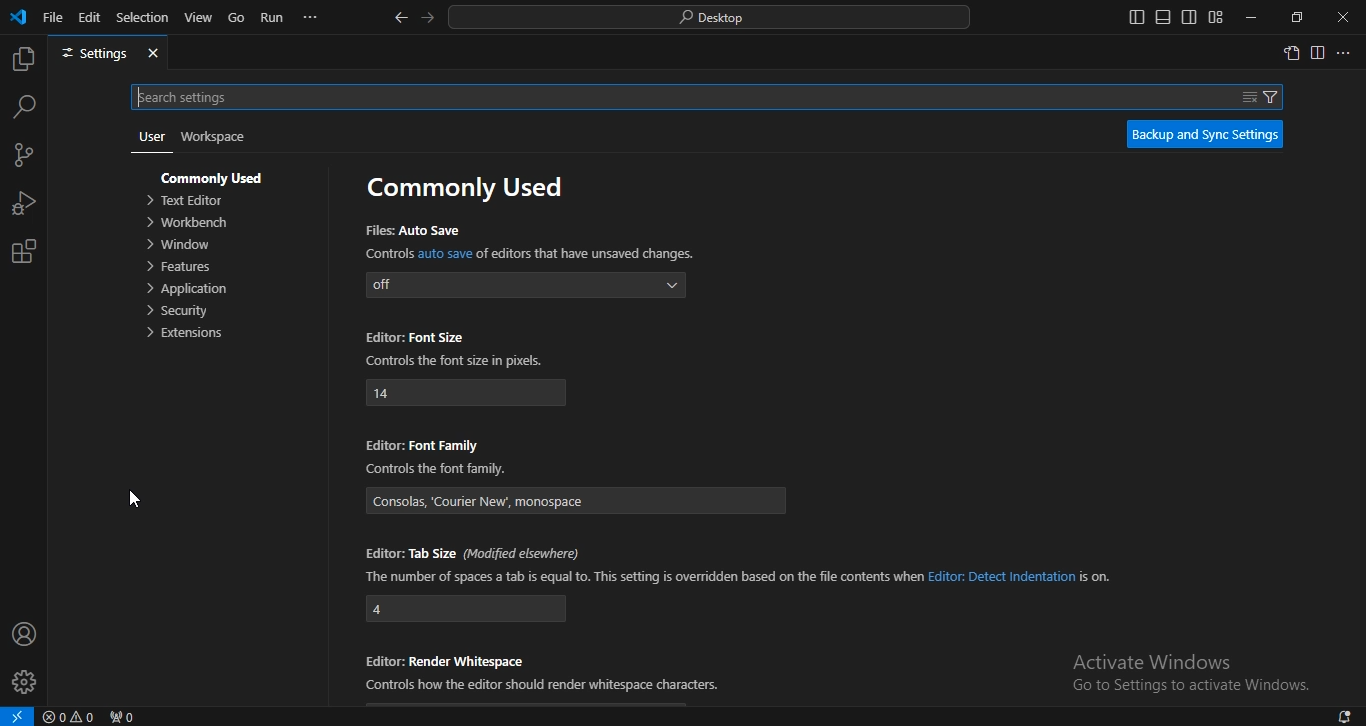 The height and width of the screenshot is (726, 1366). What do you see at coordinates (23, 108) in the screenshot?
I see `search` at bounding box center [23, 108].